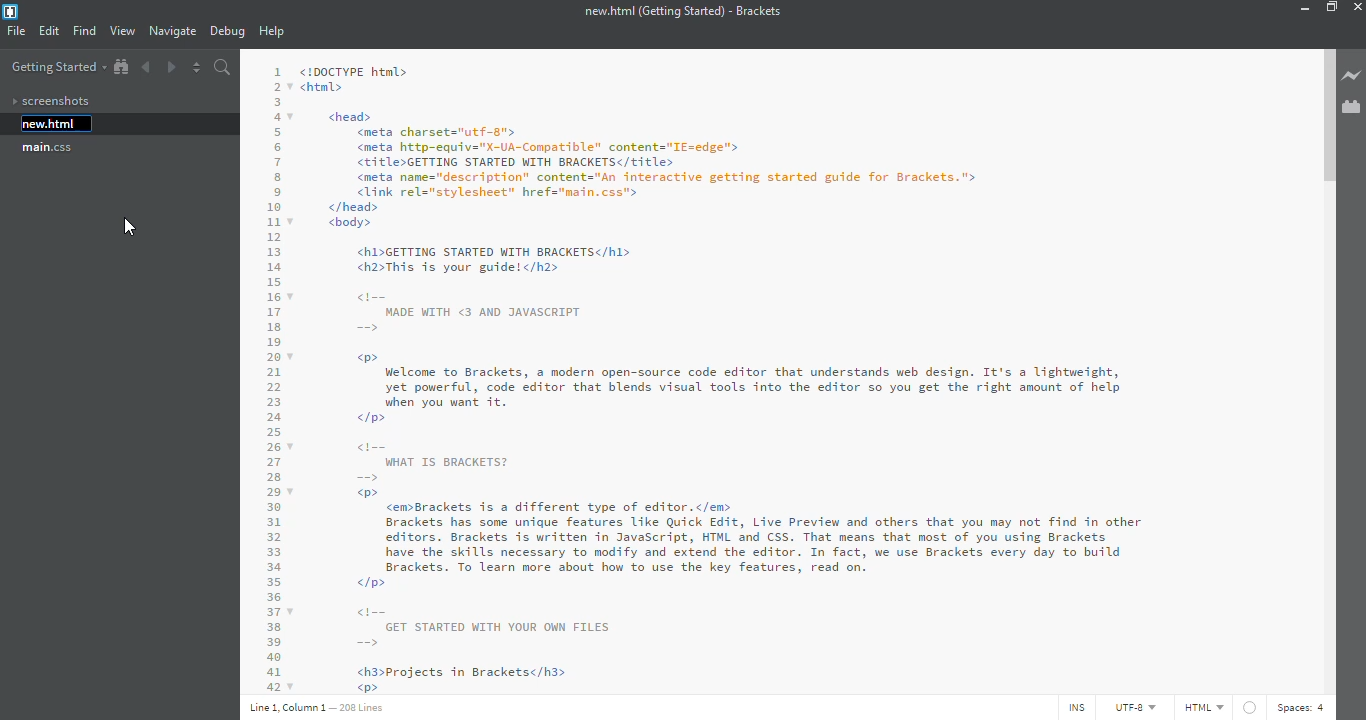 Image resolution: width=1366 pixels, height=720 pixels. Describe the element at coordinates (1362, 5) in the screenshot. I see `close` at that location.